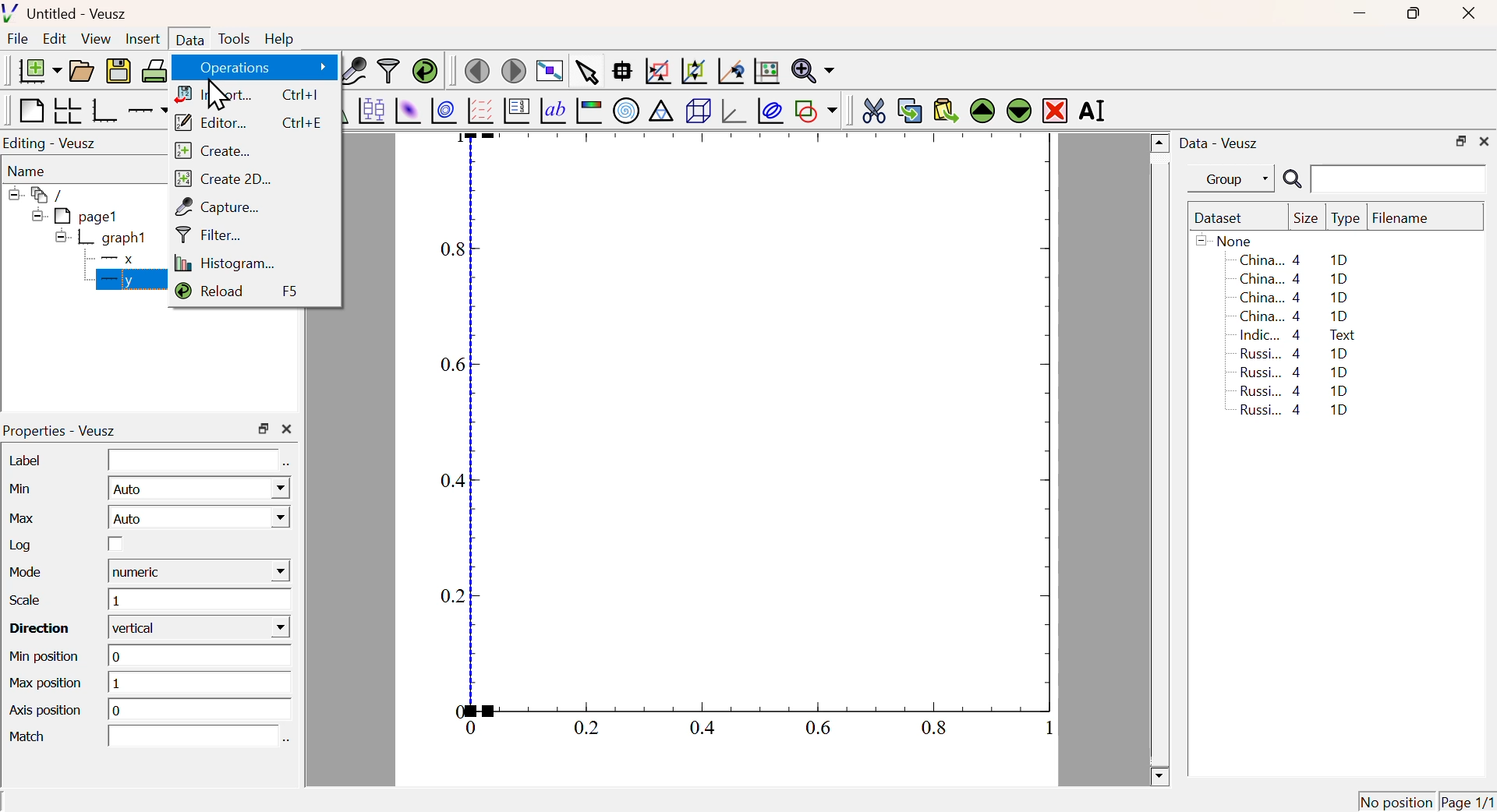  Describe the element at coordinates (52, 144) in the screenshot. I see `Editing - Veusz` at that location.